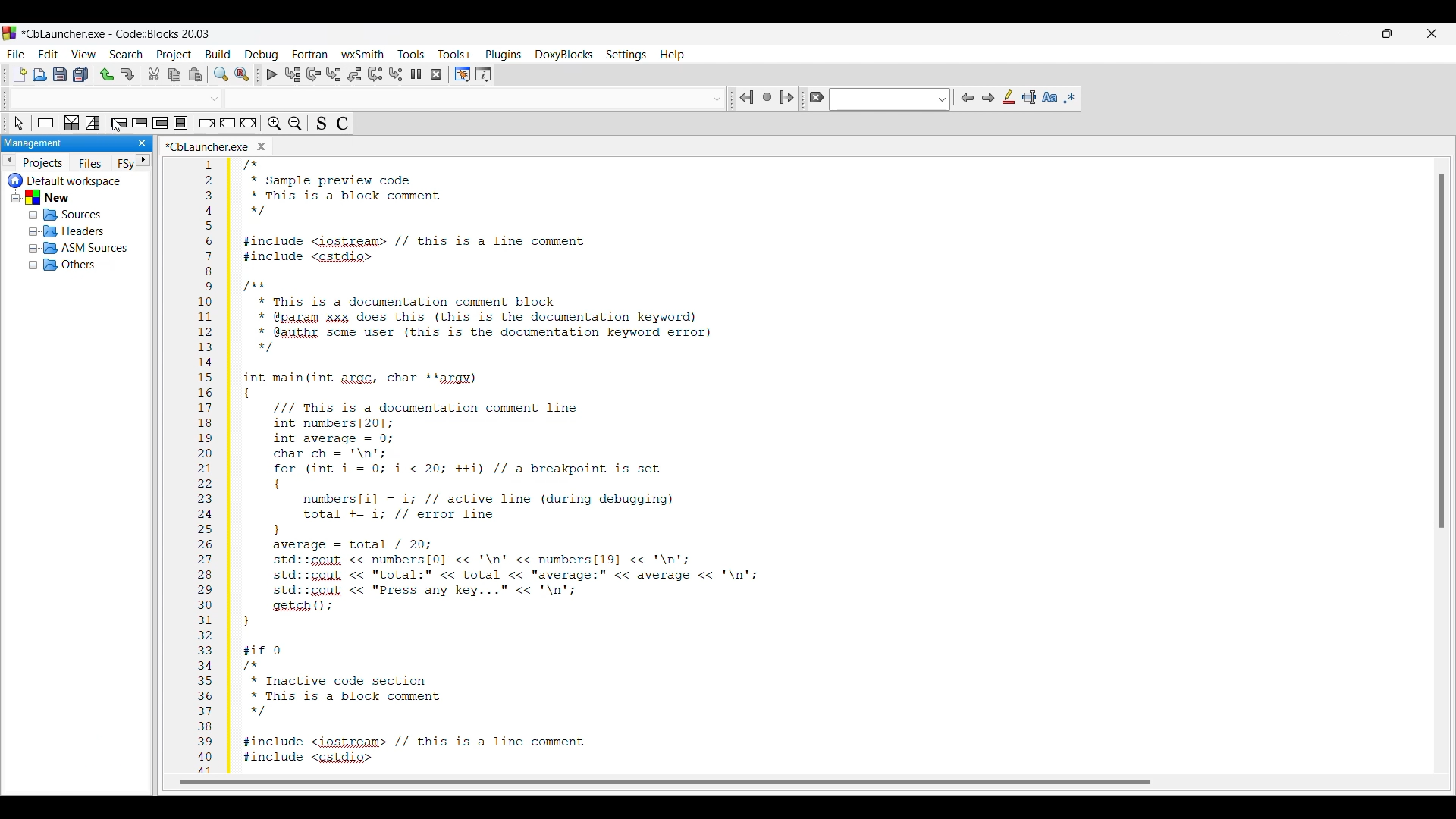  I want to click on Zoom out, so click(295, 124).